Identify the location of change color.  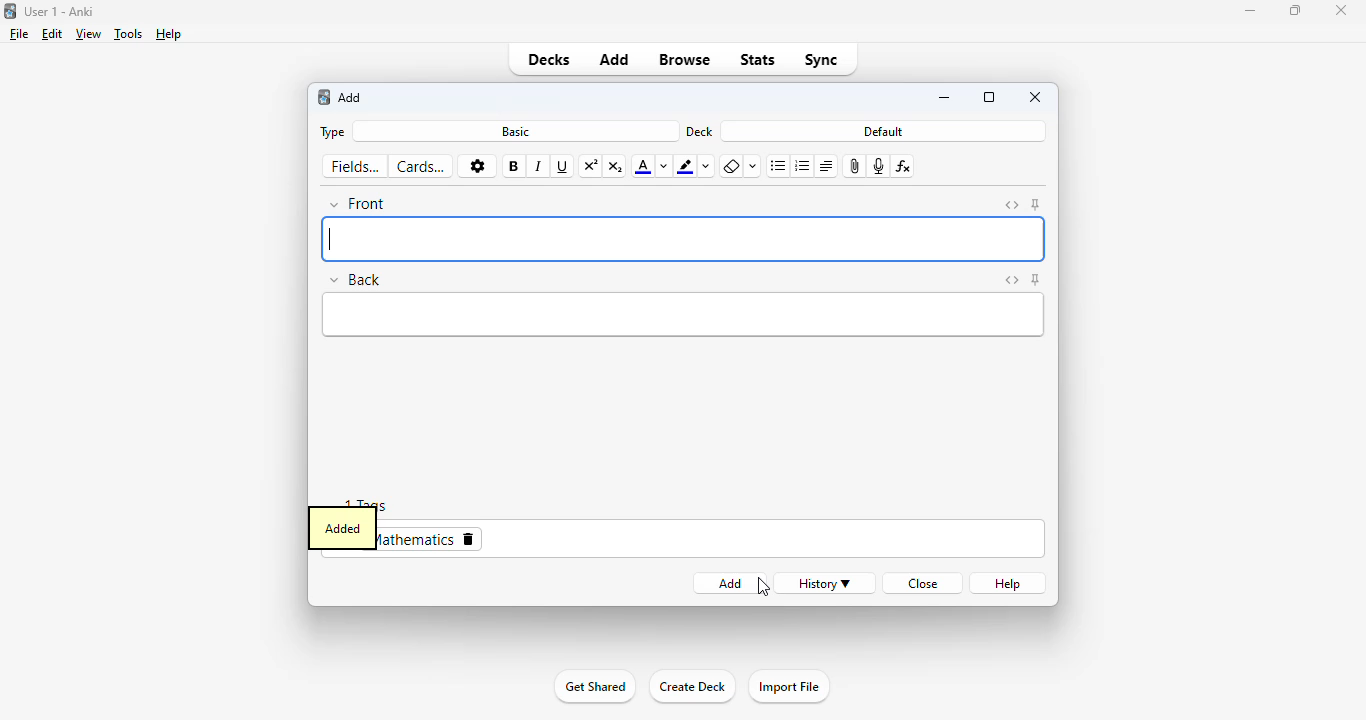
(664, 166).